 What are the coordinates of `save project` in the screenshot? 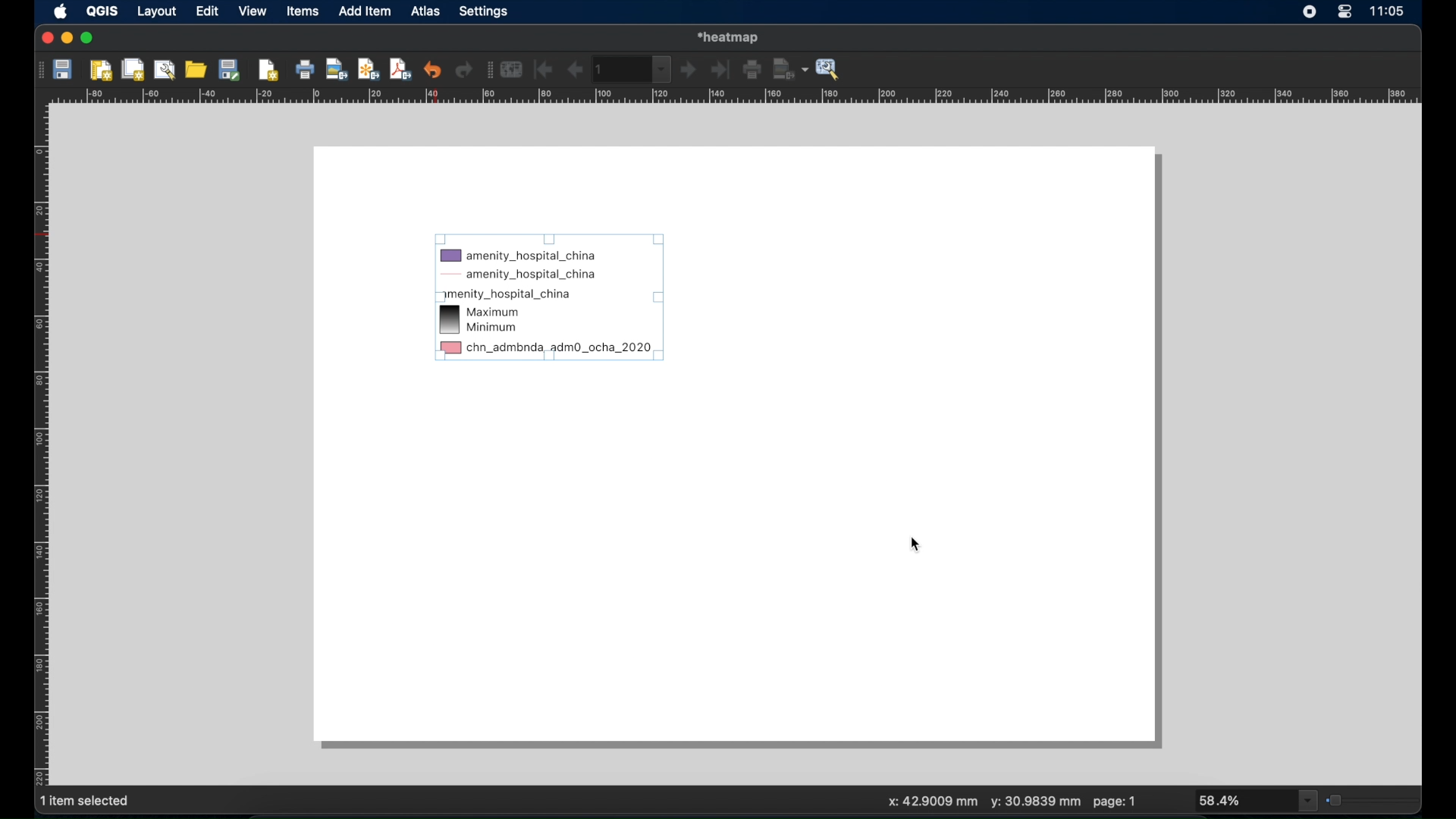 It's located at (64, 71).